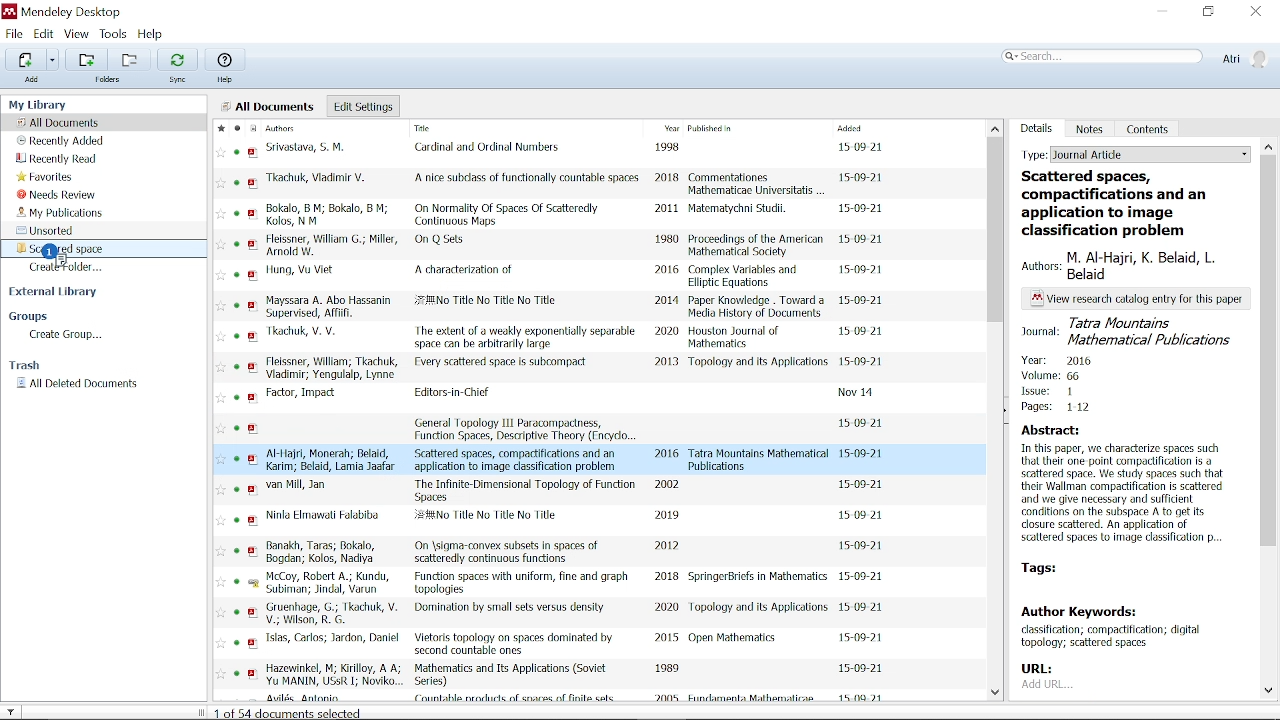 The height and width of the screenshot is (720, 1280). What do you see at coordinates (1124, 629) in the screenshot?
I see `author keywords` at bounding box center [1124, 629].